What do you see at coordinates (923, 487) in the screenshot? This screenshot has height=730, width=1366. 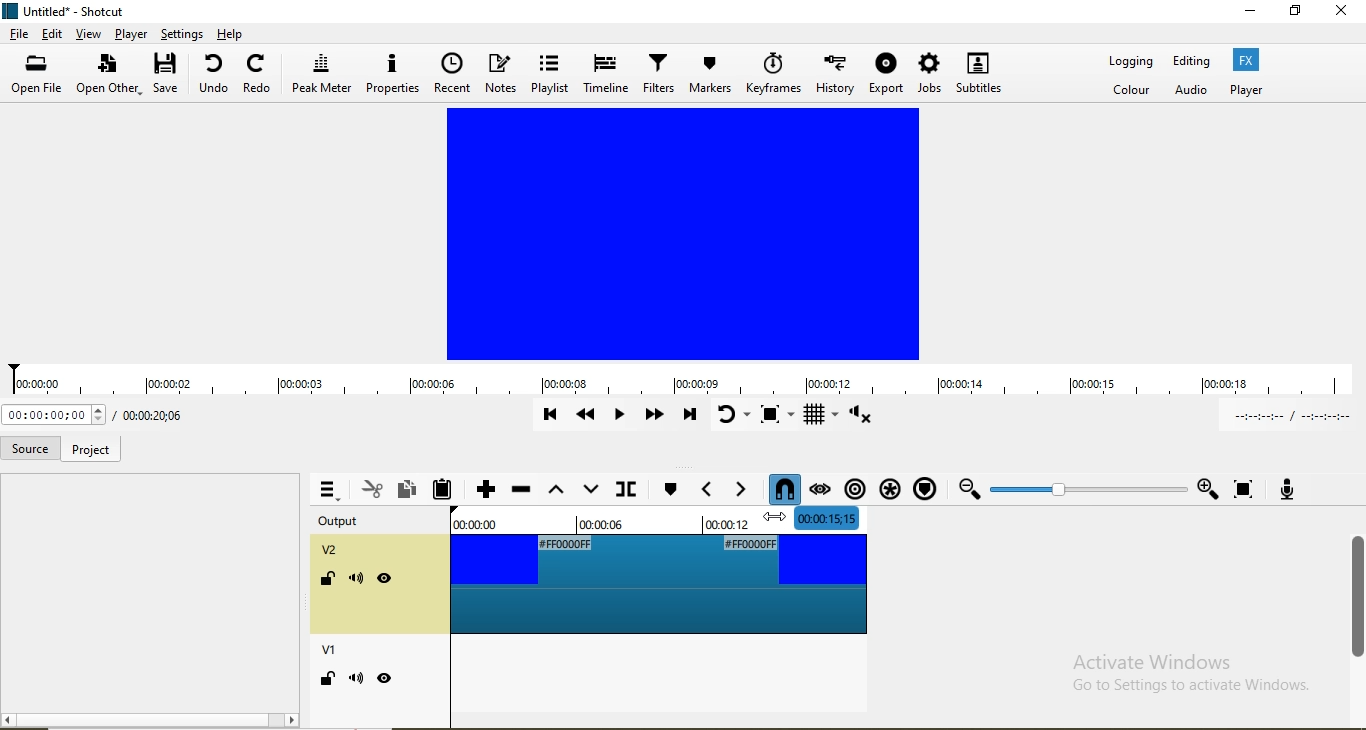 I see `Ripple markers` at bounding box center [923, 487].